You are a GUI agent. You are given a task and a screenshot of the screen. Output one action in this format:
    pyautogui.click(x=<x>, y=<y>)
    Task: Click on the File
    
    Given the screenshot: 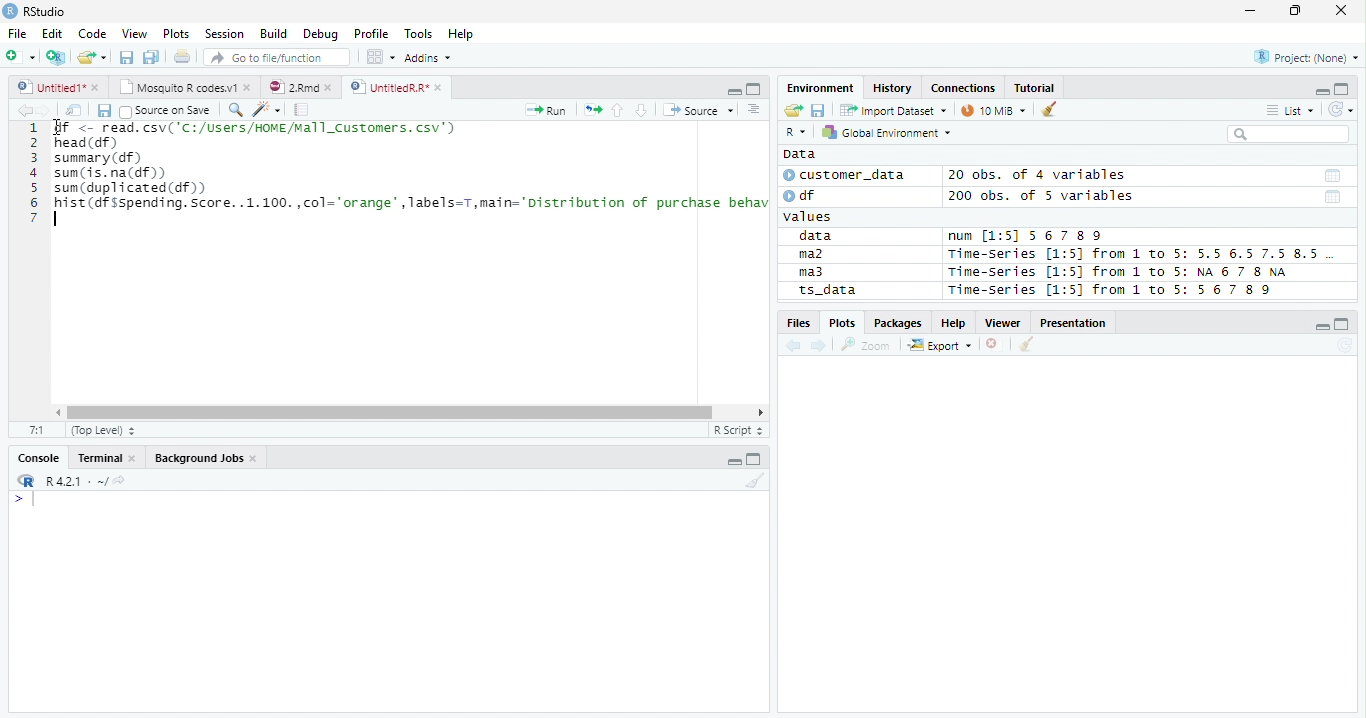 What is the action you would take?
    pyautogui.click(x=16, y=33)
    